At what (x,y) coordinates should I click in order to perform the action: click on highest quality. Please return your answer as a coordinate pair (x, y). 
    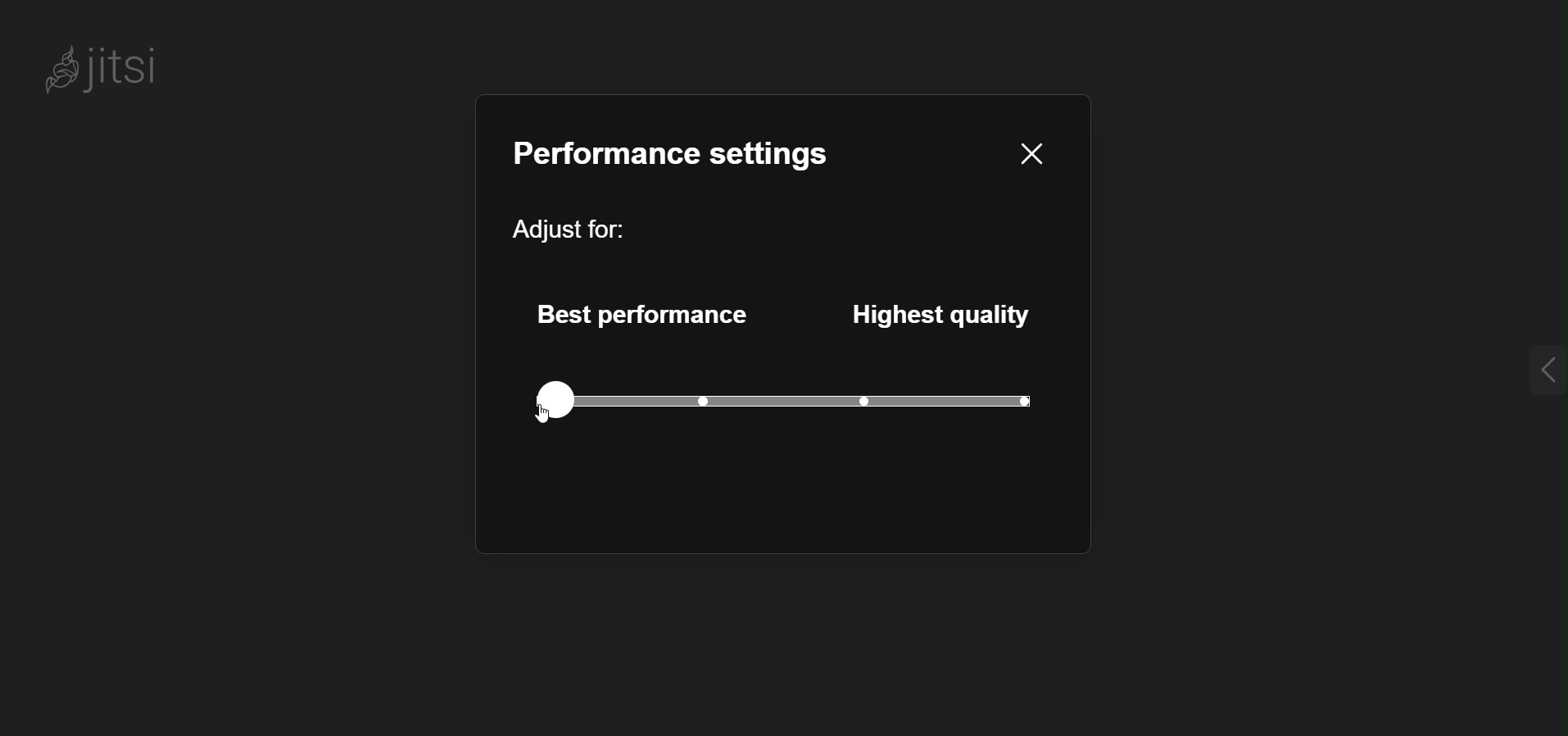
    Looking at the image, I should click on (949, 313).